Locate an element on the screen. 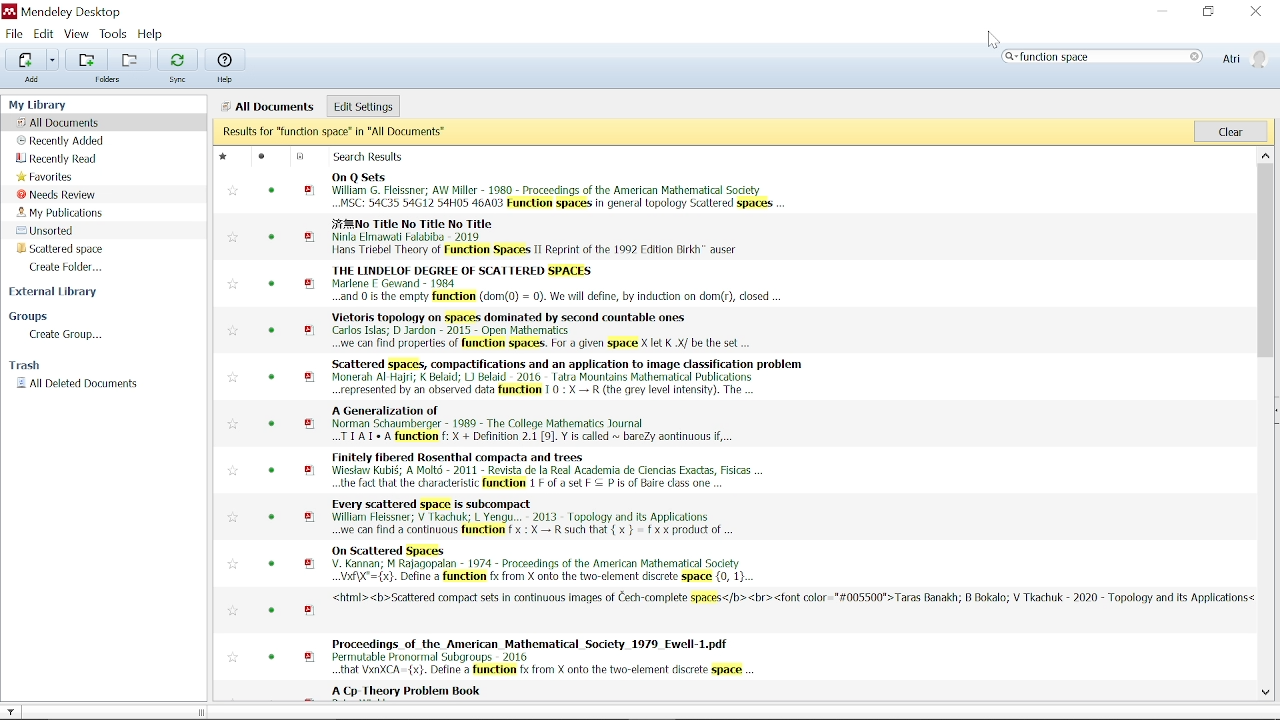 The width and height of the screenshot is (1280, 720). My Library is located at coordinates (88, 105).